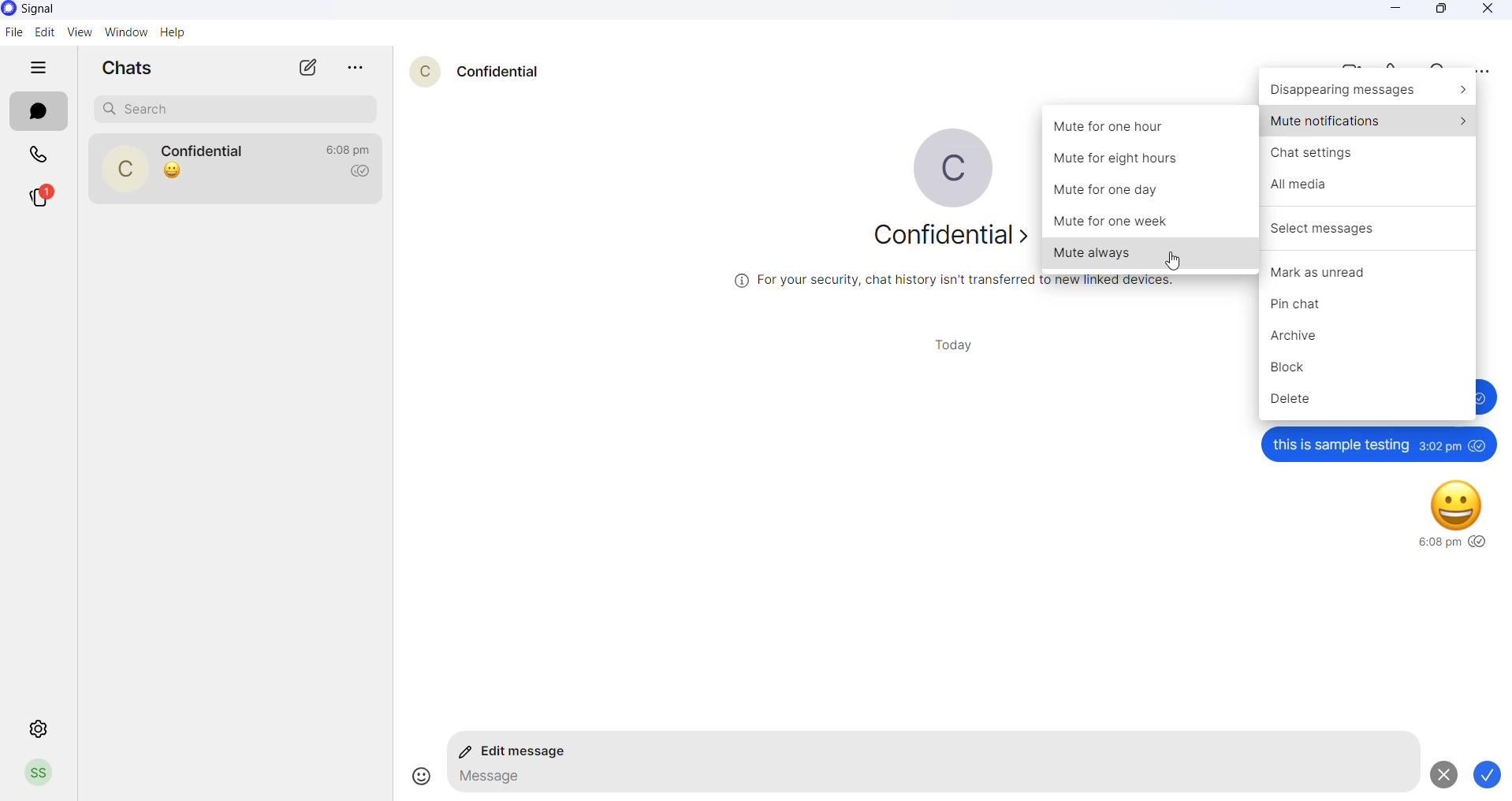 This screenshot has width=1512, height=801. I want to click on about contact, so click(936, 237).